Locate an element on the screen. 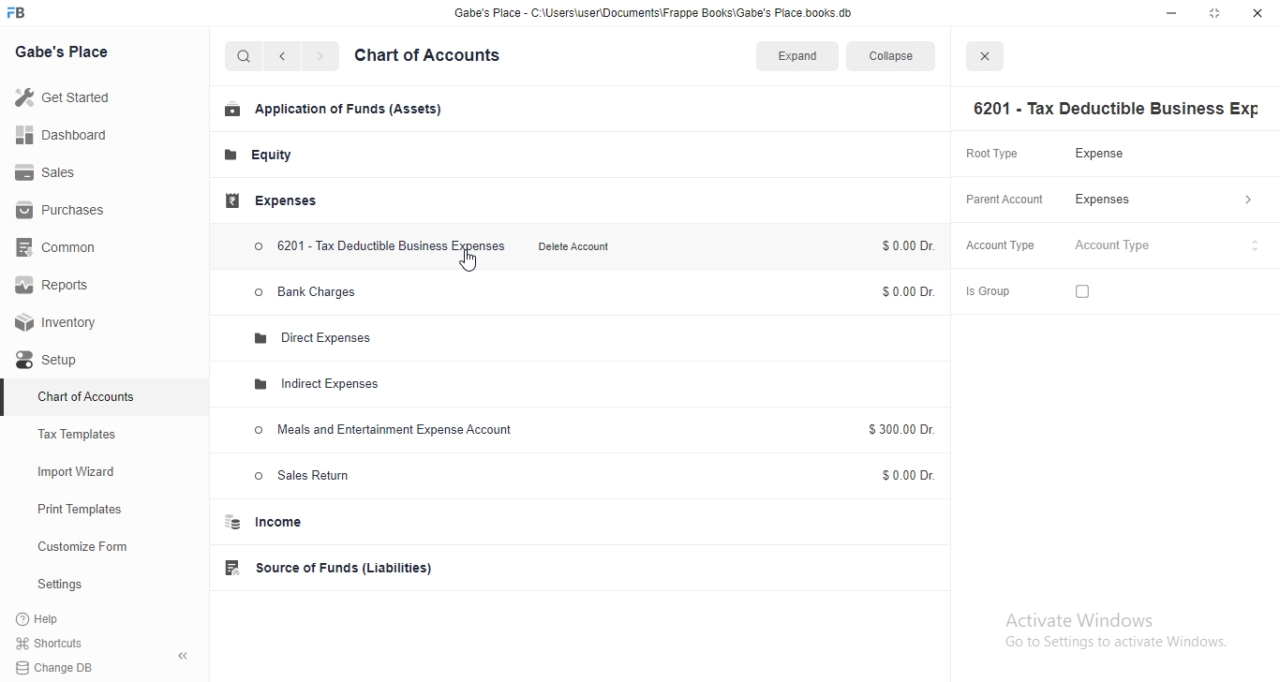 This screenshot has height=682, width=1280. restore down is located at coordinates (1216, 15).